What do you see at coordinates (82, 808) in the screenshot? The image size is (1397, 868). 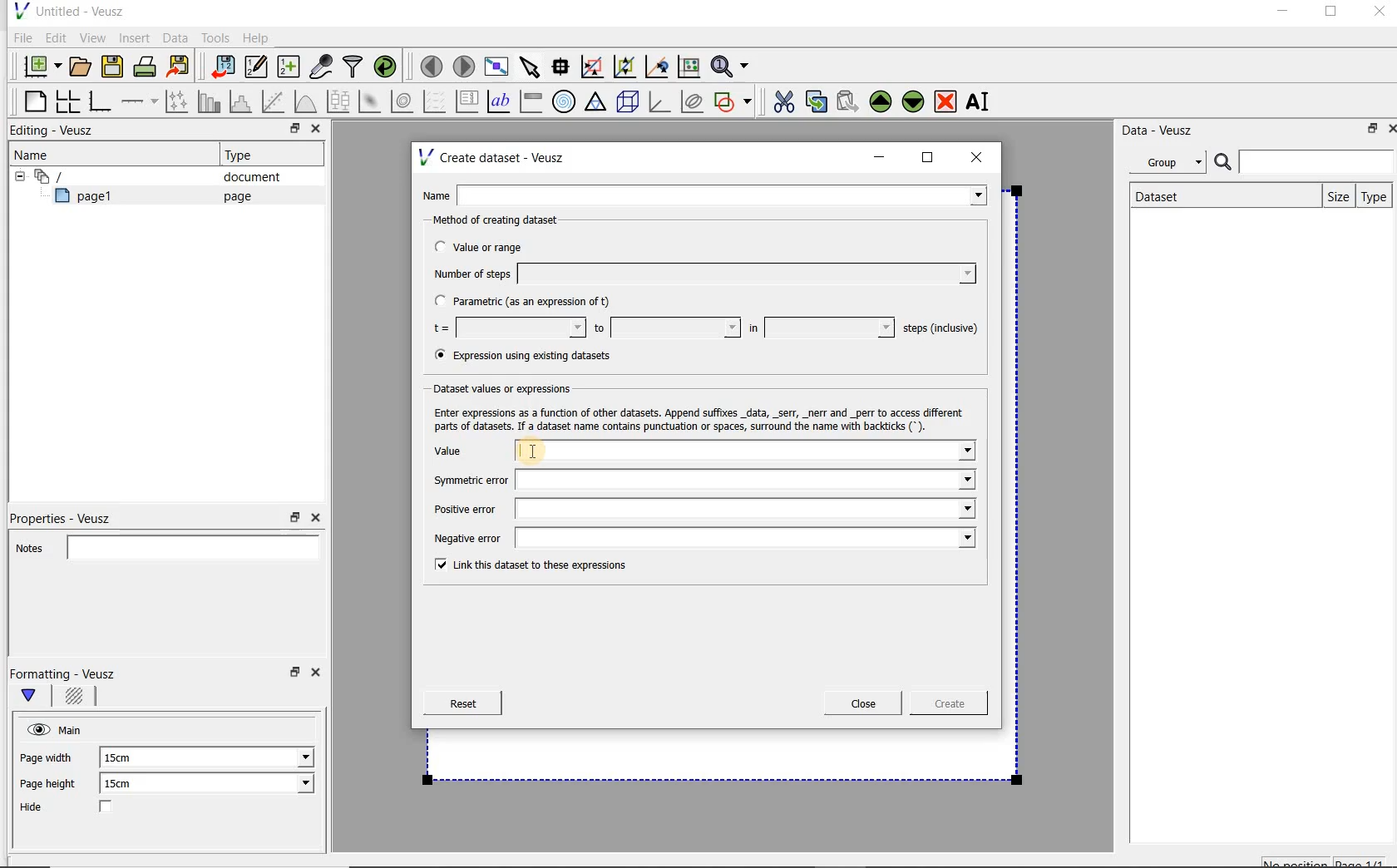 I see `Hide` at bounding box center [82, 808].